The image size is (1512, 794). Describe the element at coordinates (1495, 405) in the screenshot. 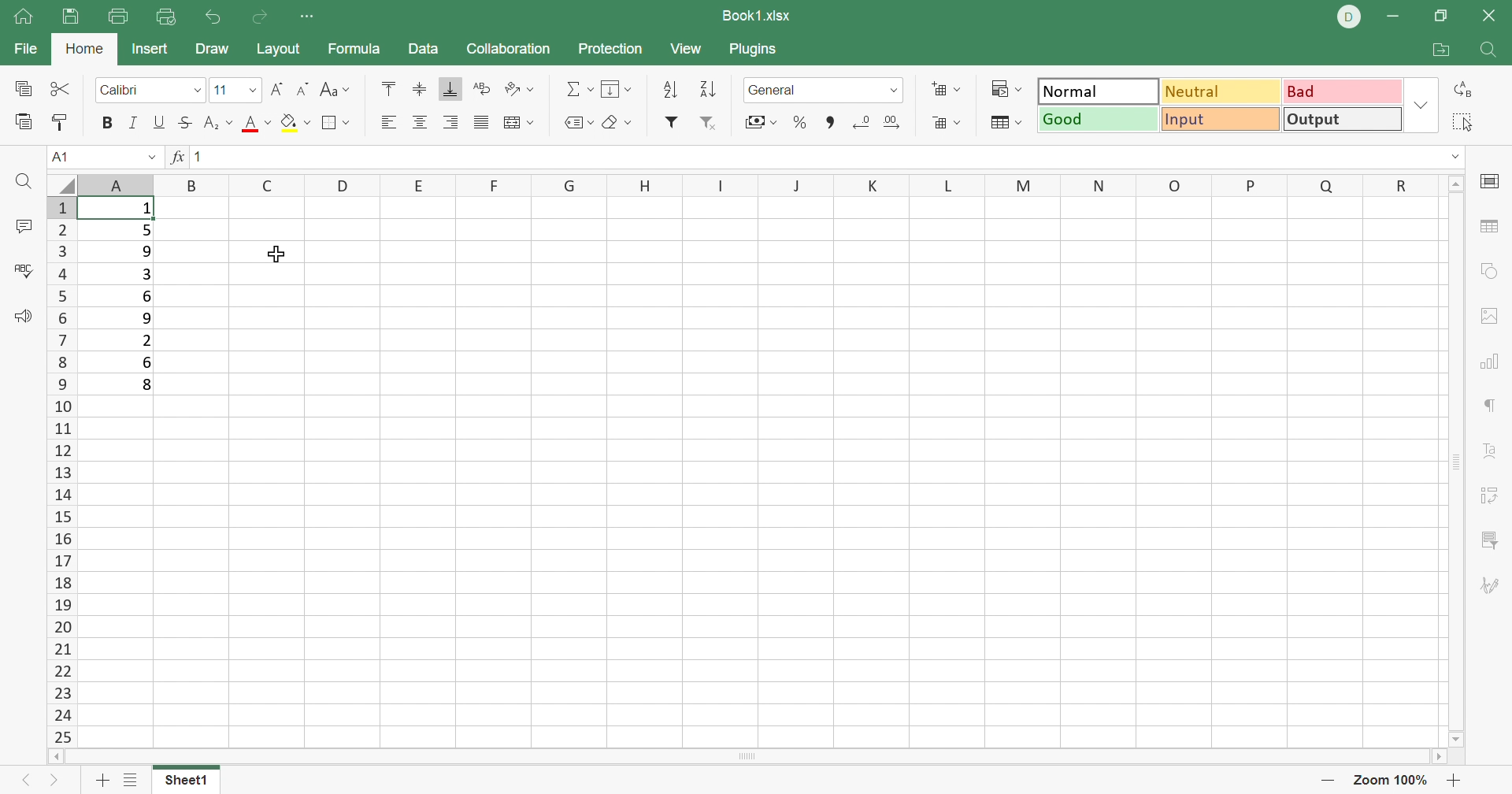

I see `paragraph settings` at that location.